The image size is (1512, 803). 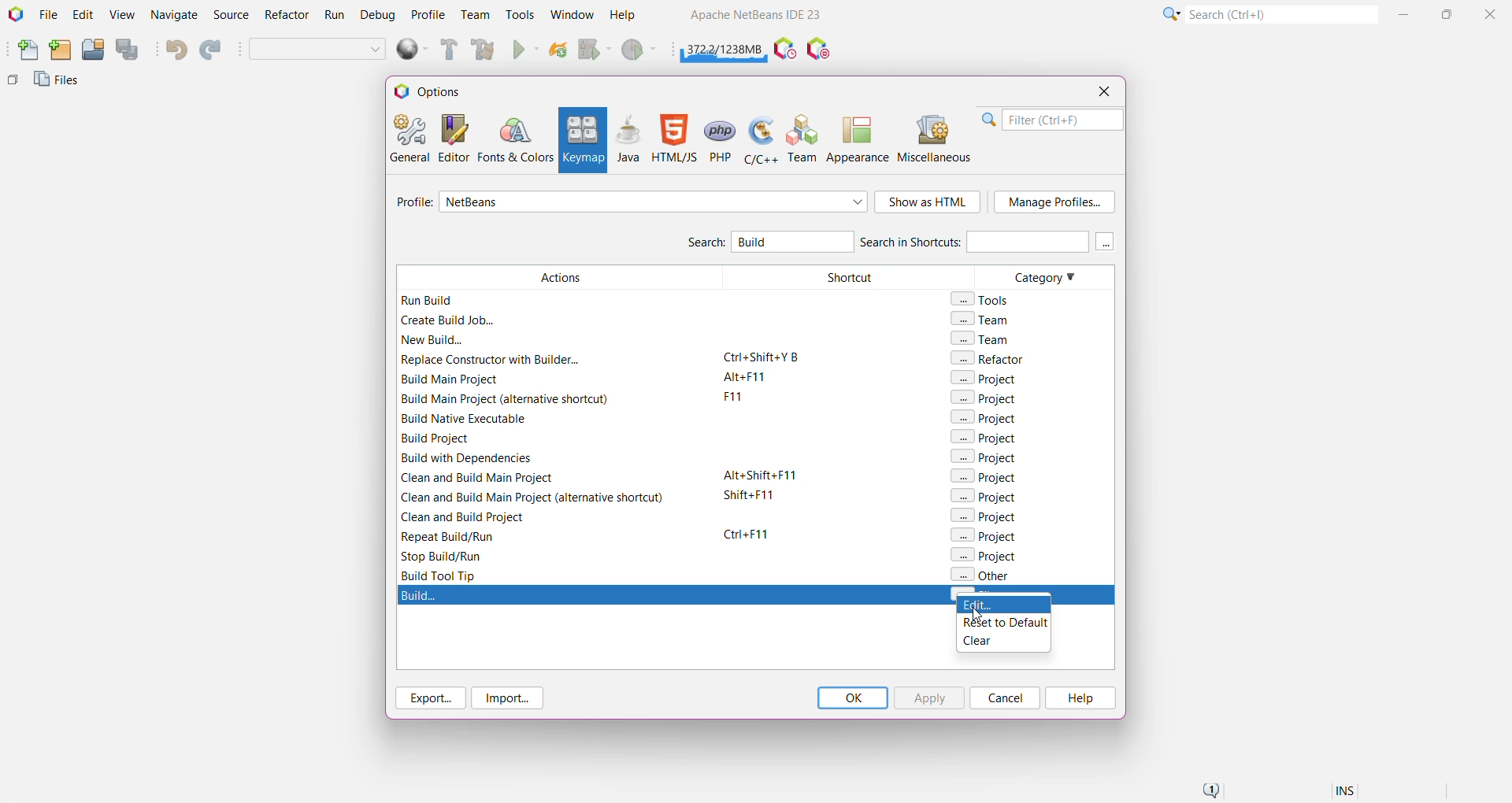 What do you see at coordinates (1210, 791) in the screenshot?
I see `Notifications` at bounding box center [1210, 791].